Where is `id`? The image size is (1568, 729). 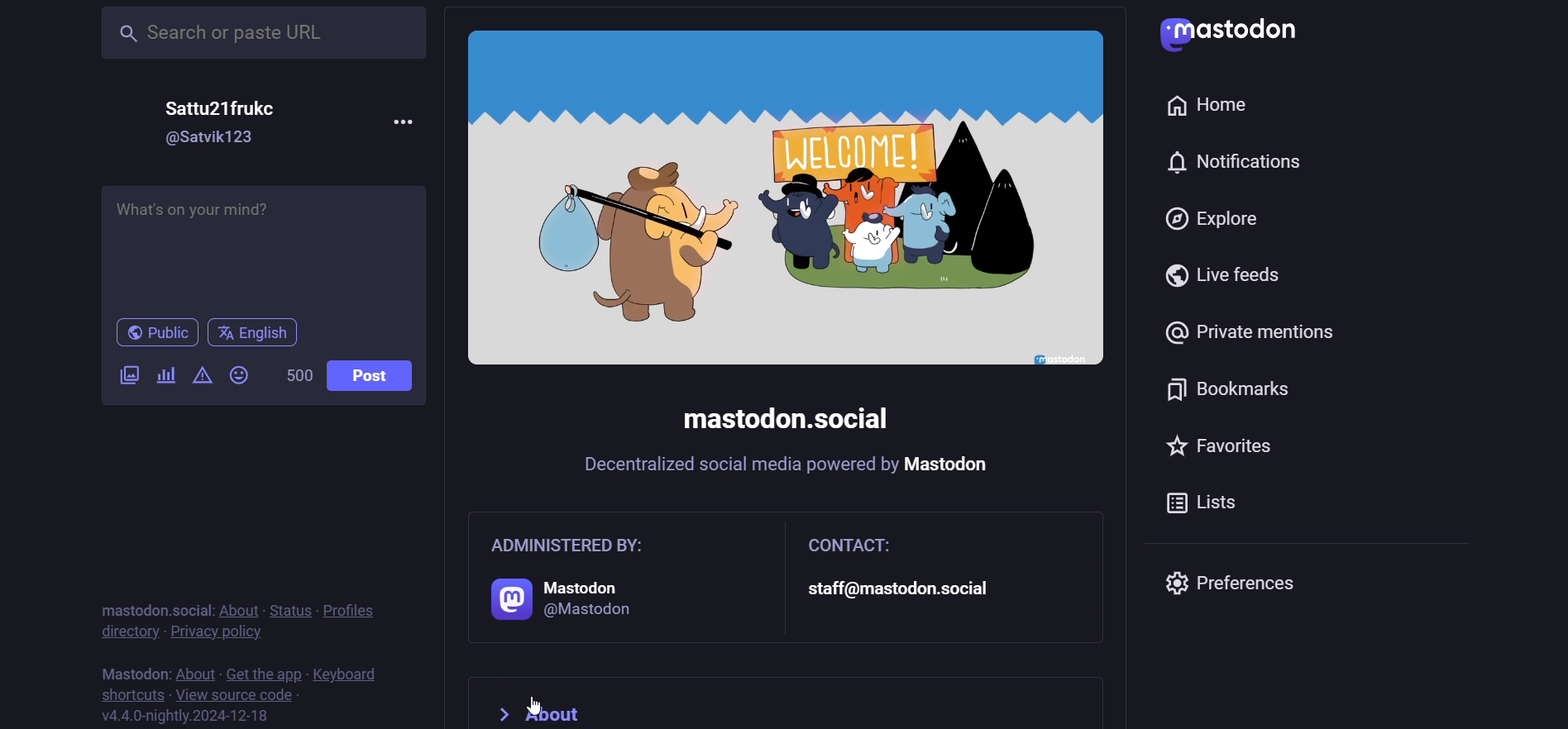
id is located at coordinates (213, 138).